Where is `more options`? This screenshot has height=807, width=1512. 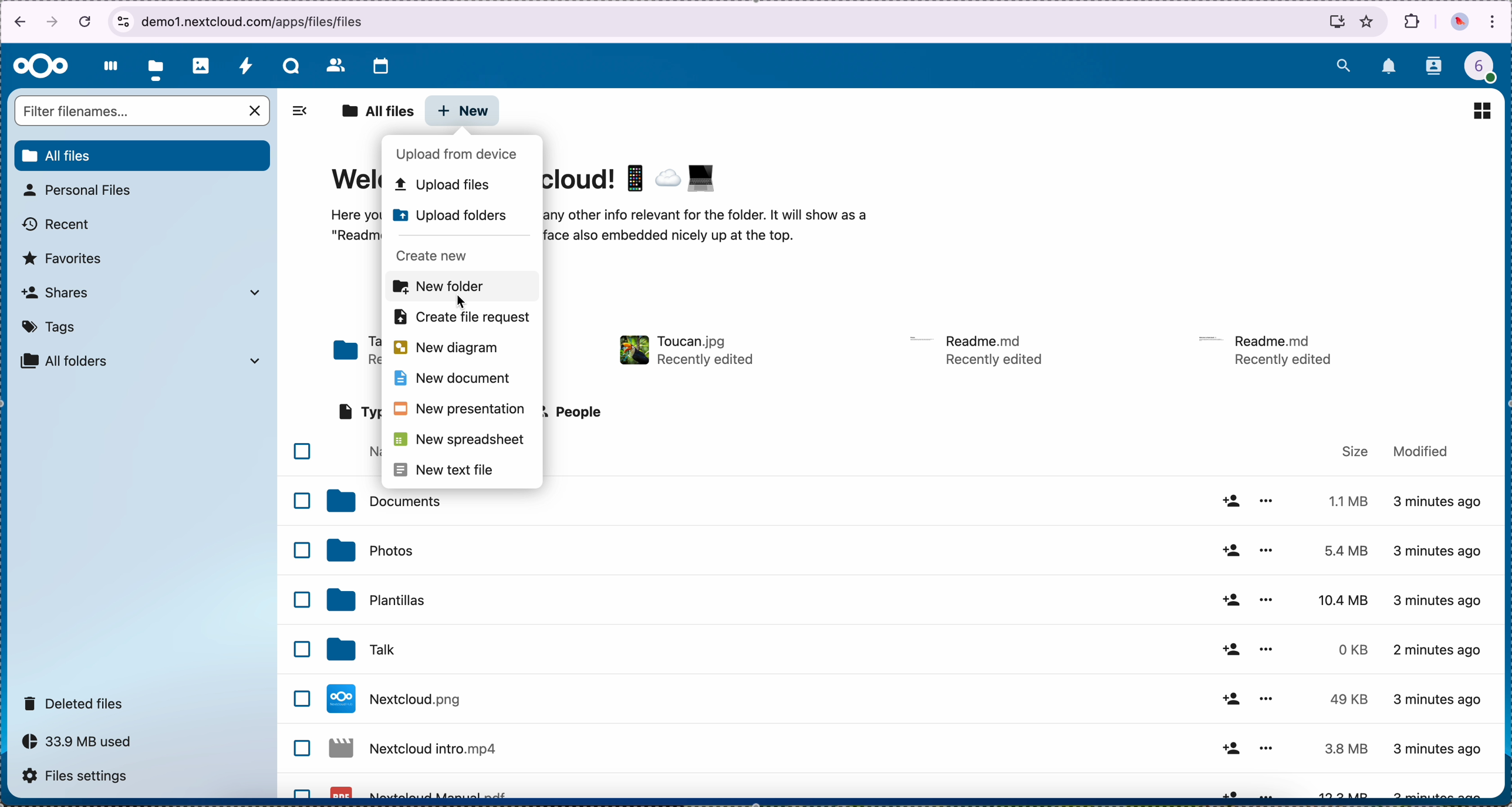
more options is located at coordinates (1266, 549).